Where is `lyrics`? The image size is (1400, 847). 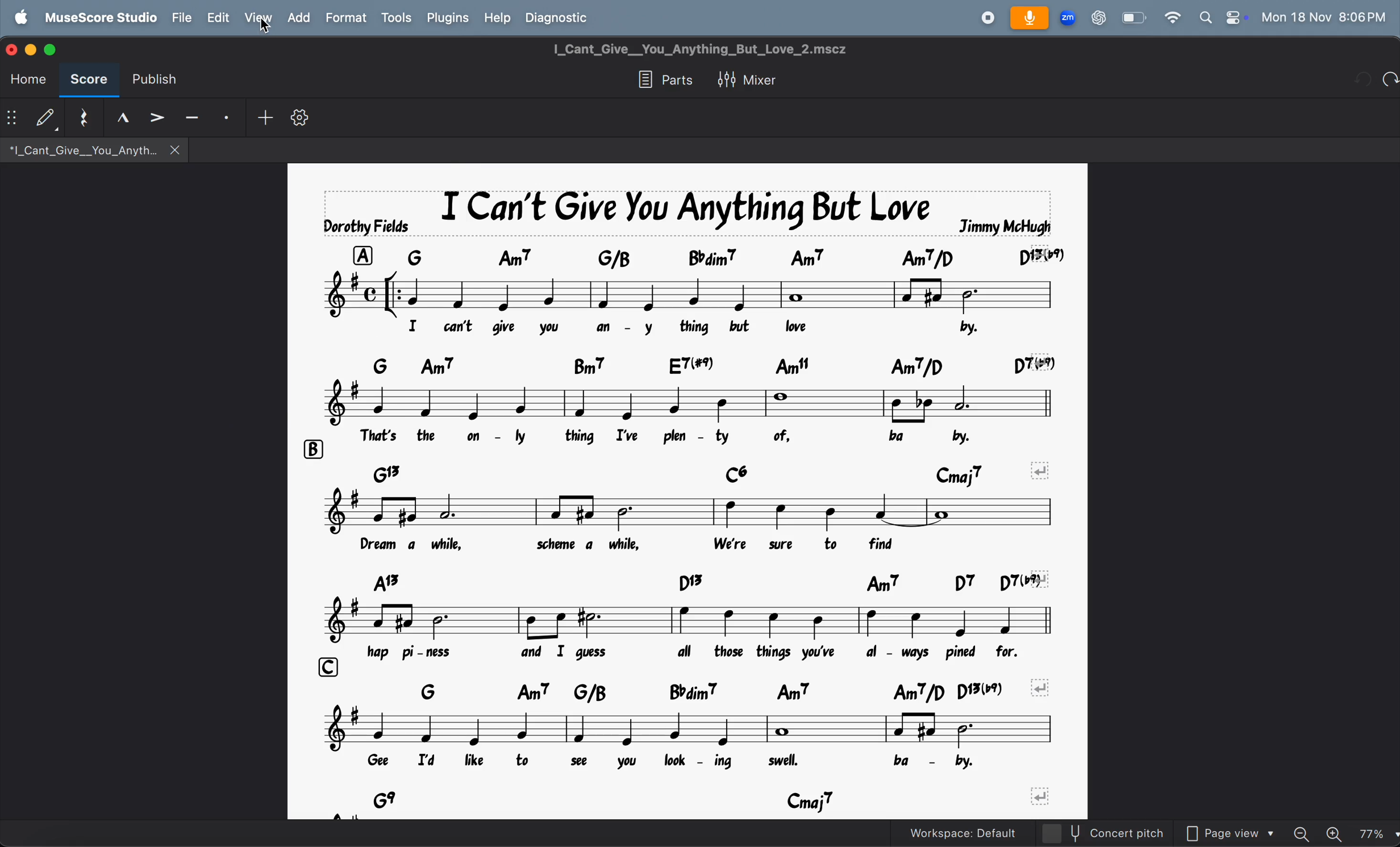
lyrics is located at coordinates (691, 327).